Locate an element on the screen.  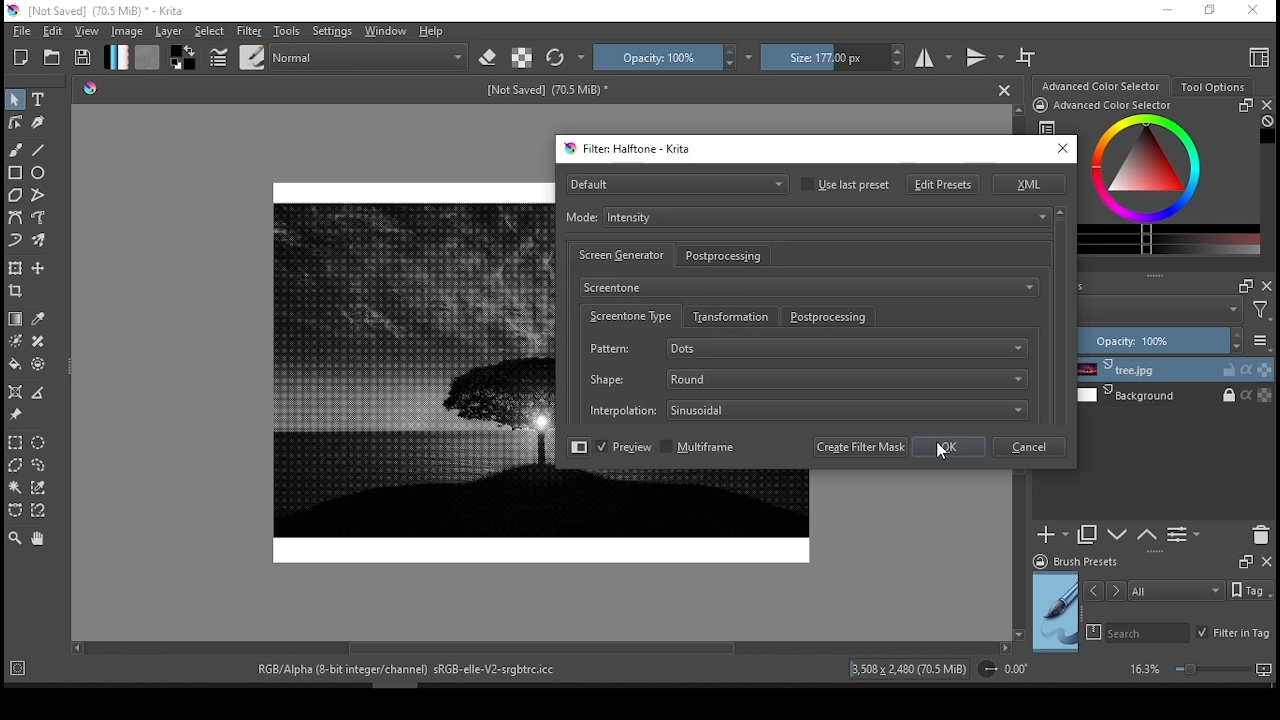
multi brush tool is located at coordinates (40, 240).